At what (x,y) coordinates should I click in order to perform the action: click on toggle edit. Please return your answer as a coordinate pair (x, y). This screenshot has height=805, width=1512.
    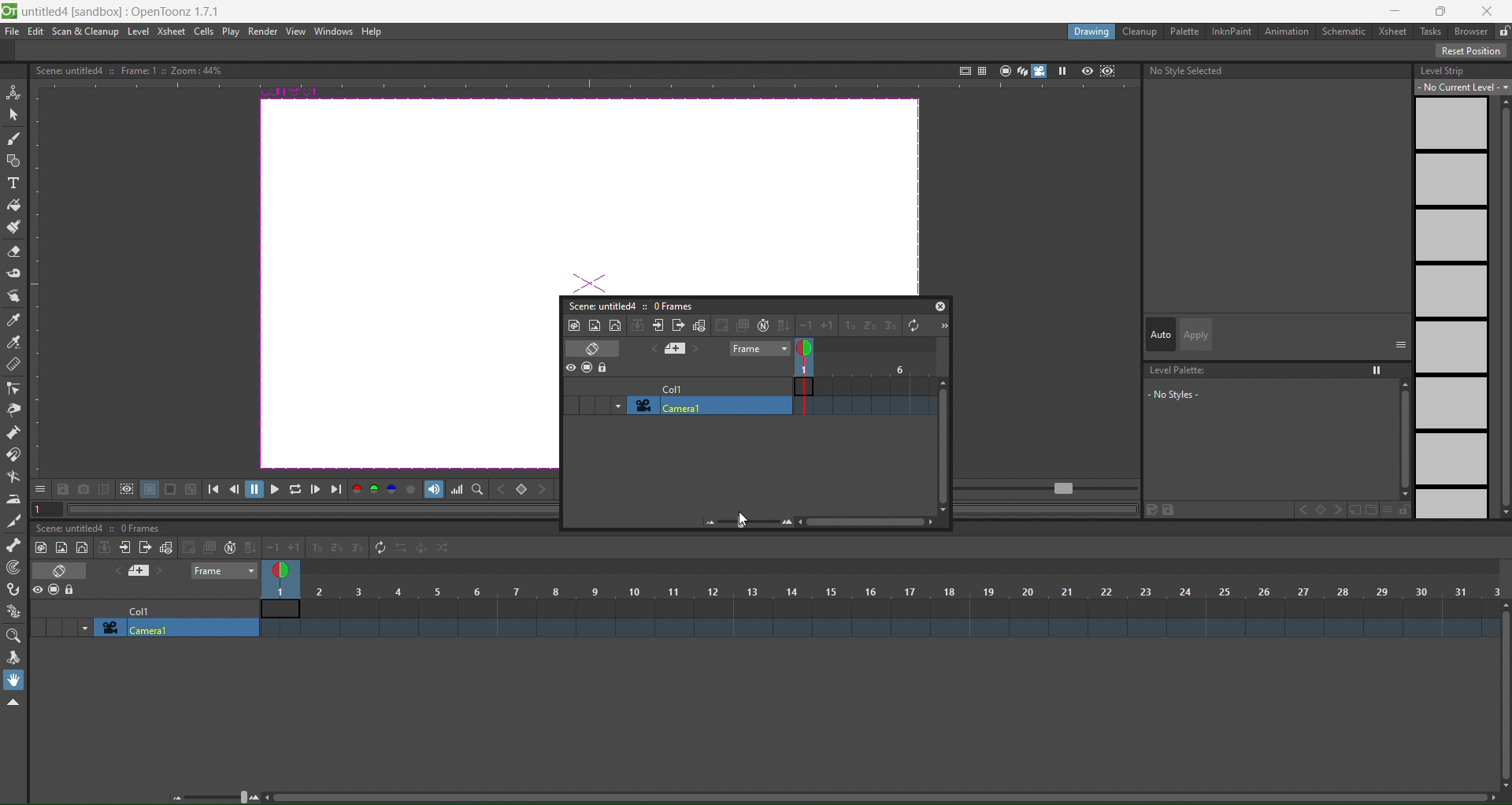
    Looking at the image, I should click on (700, 325).